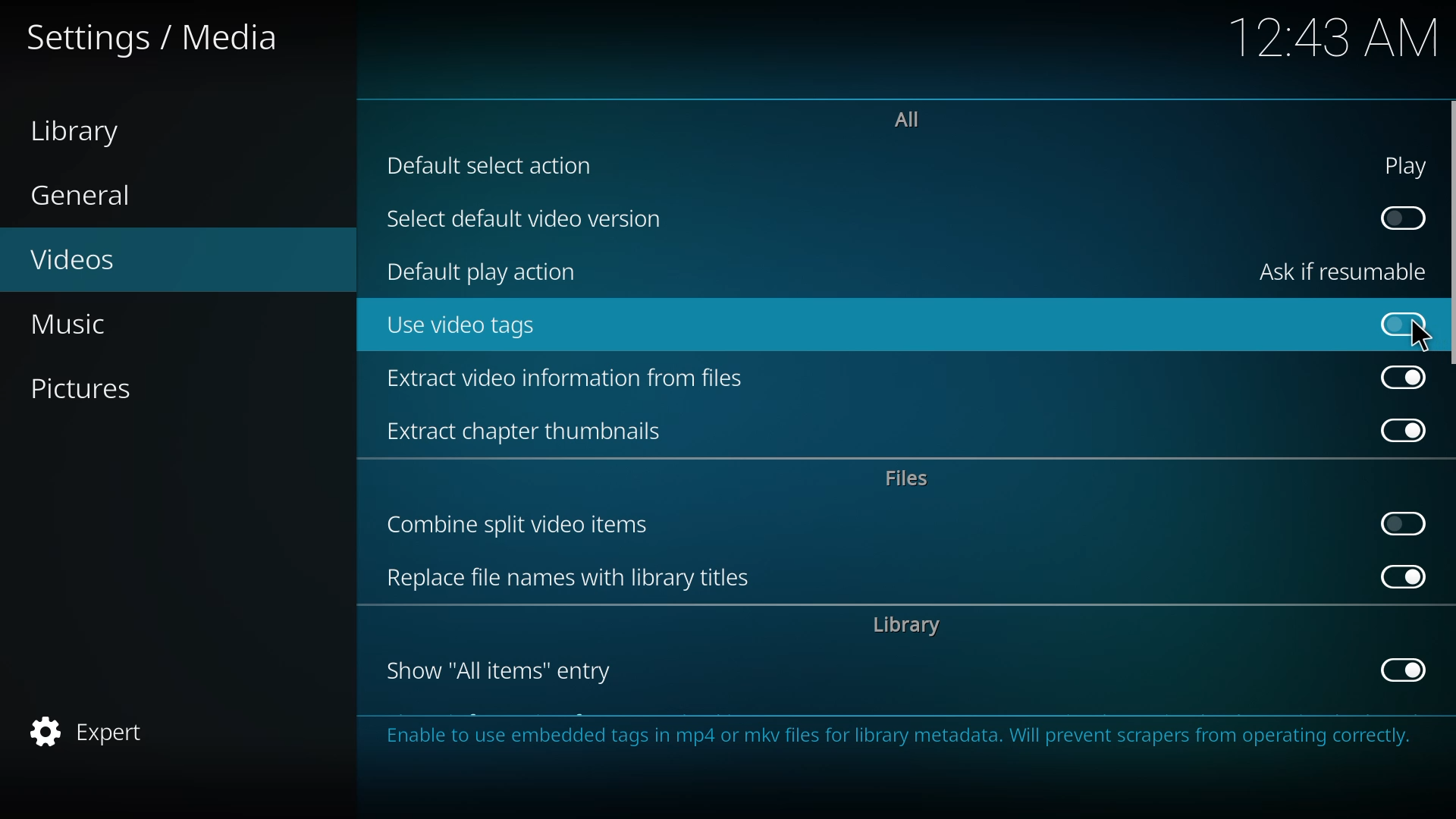 This screenshot has height=819, width=1456. I want to click on default select action, so click(496, 165).